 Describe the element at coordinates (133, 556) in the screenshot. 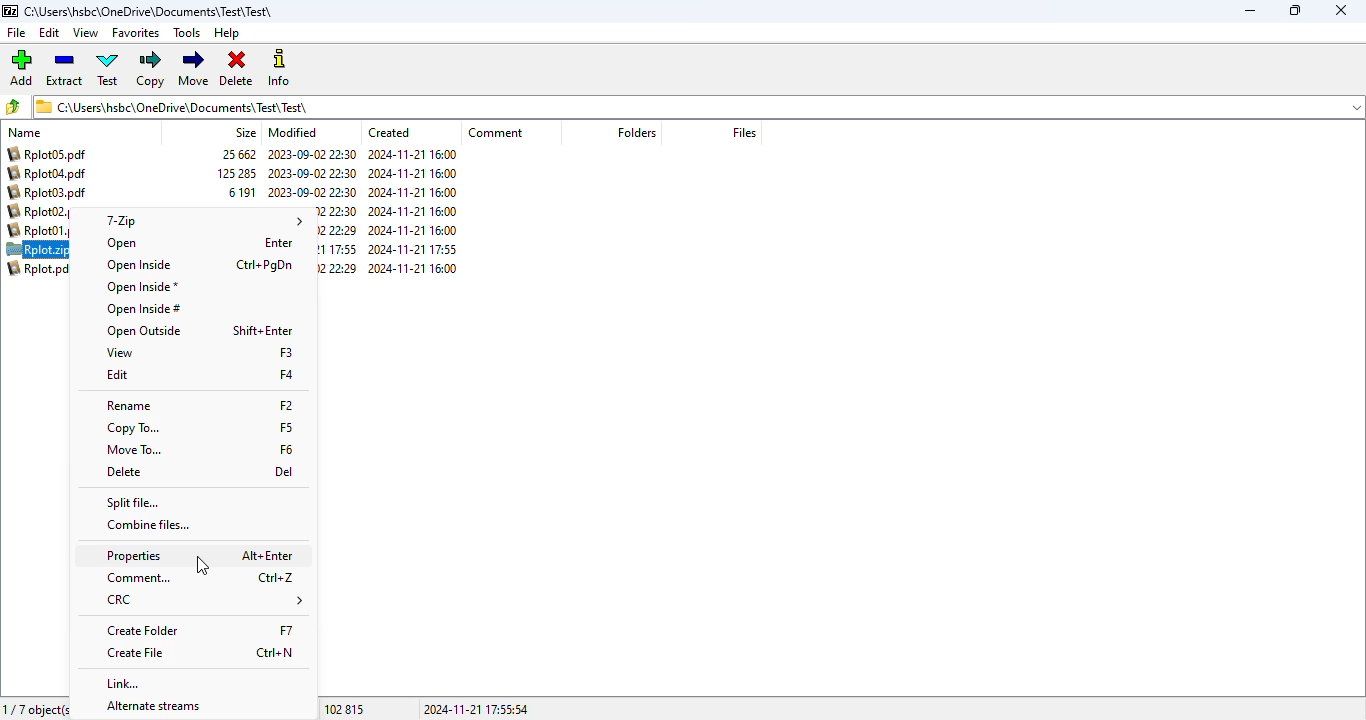

I see `properties` at that location.